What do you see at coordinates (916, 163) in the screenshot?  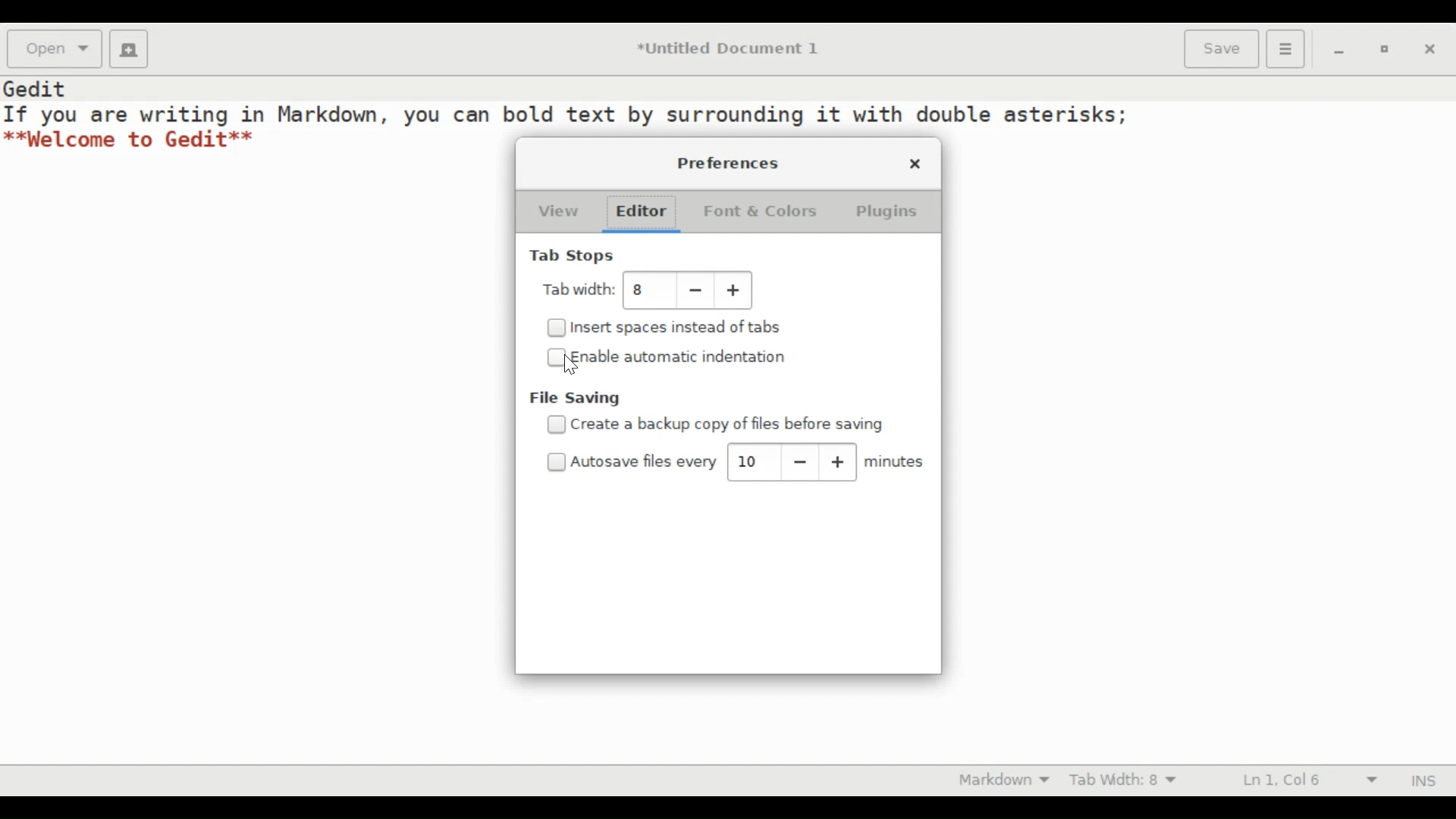 I see `close` at bounding box center [916, 163].